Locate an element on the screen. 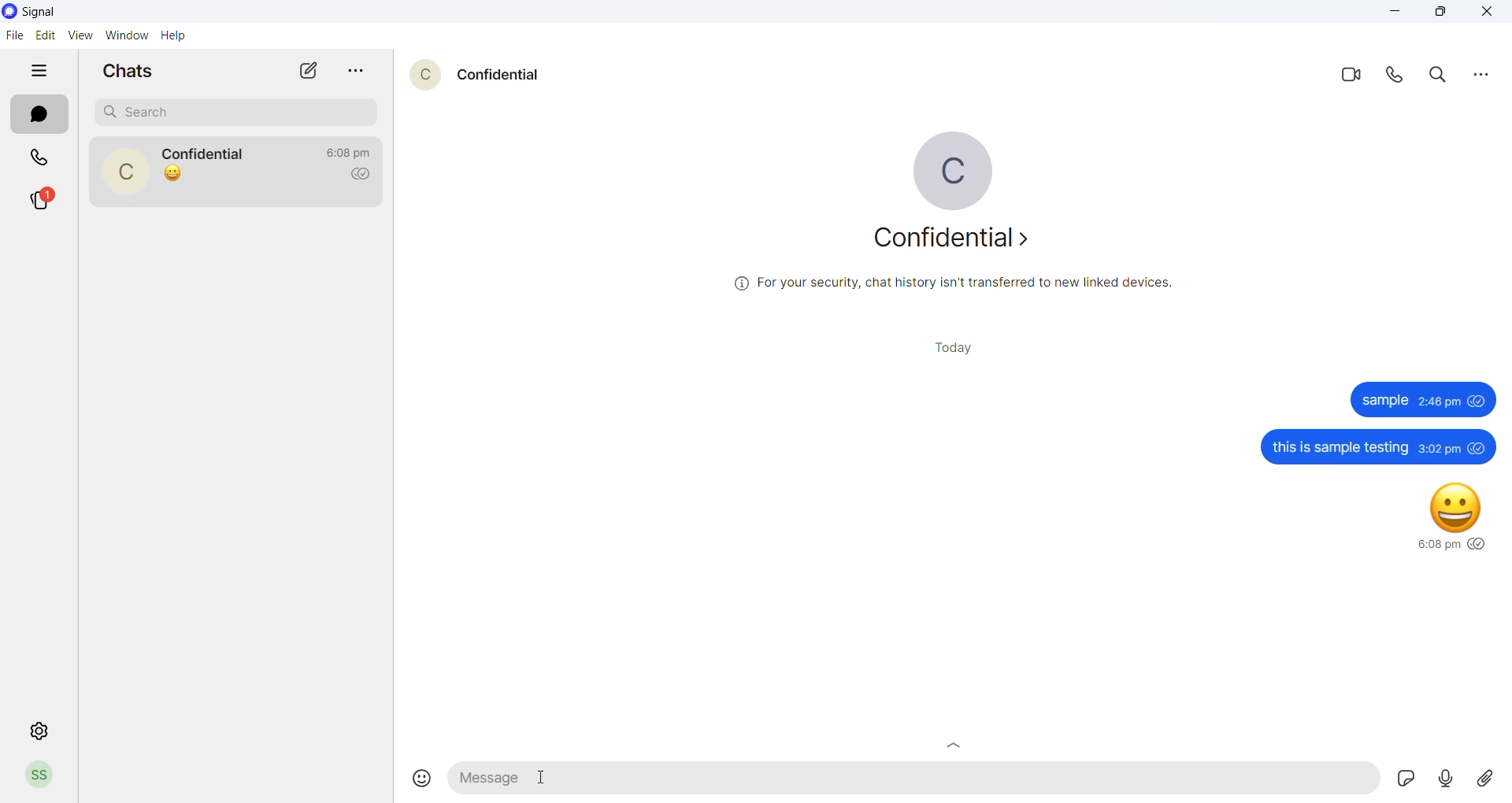  button is located at coordinates (951, 742).